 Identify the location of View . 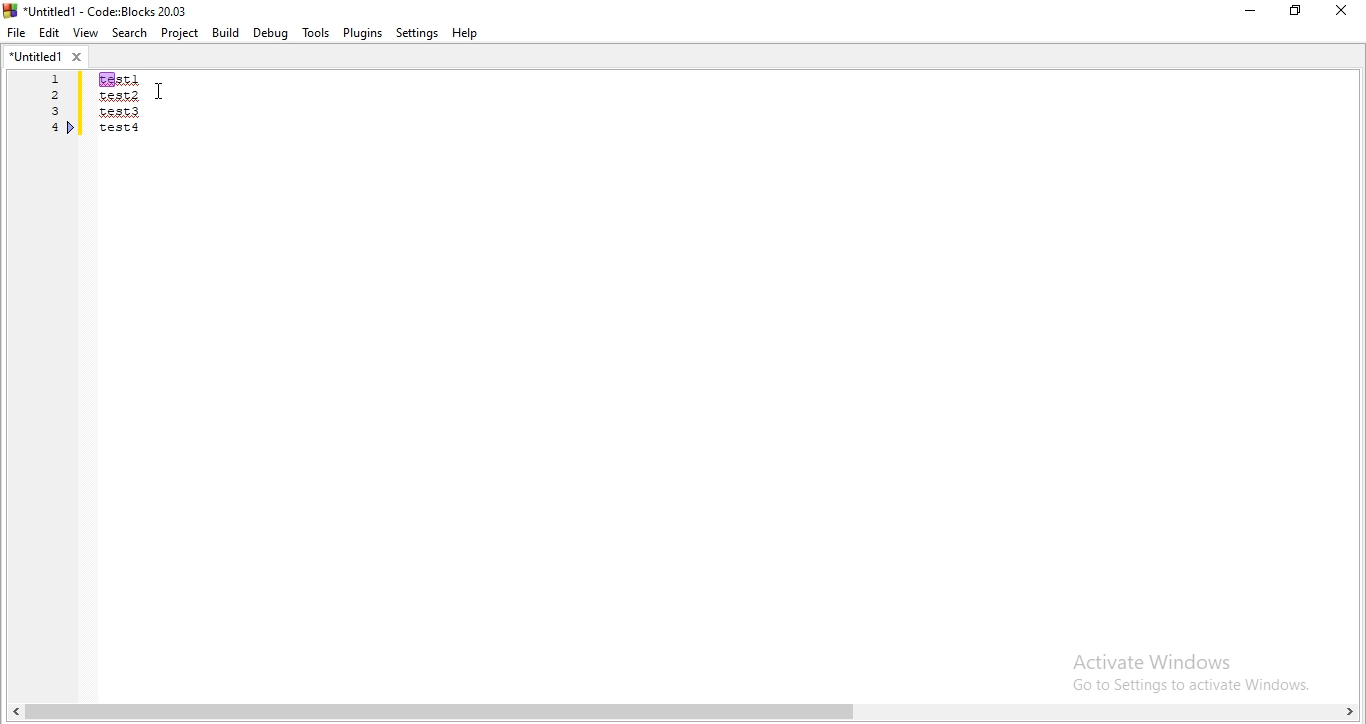
(85, 30).